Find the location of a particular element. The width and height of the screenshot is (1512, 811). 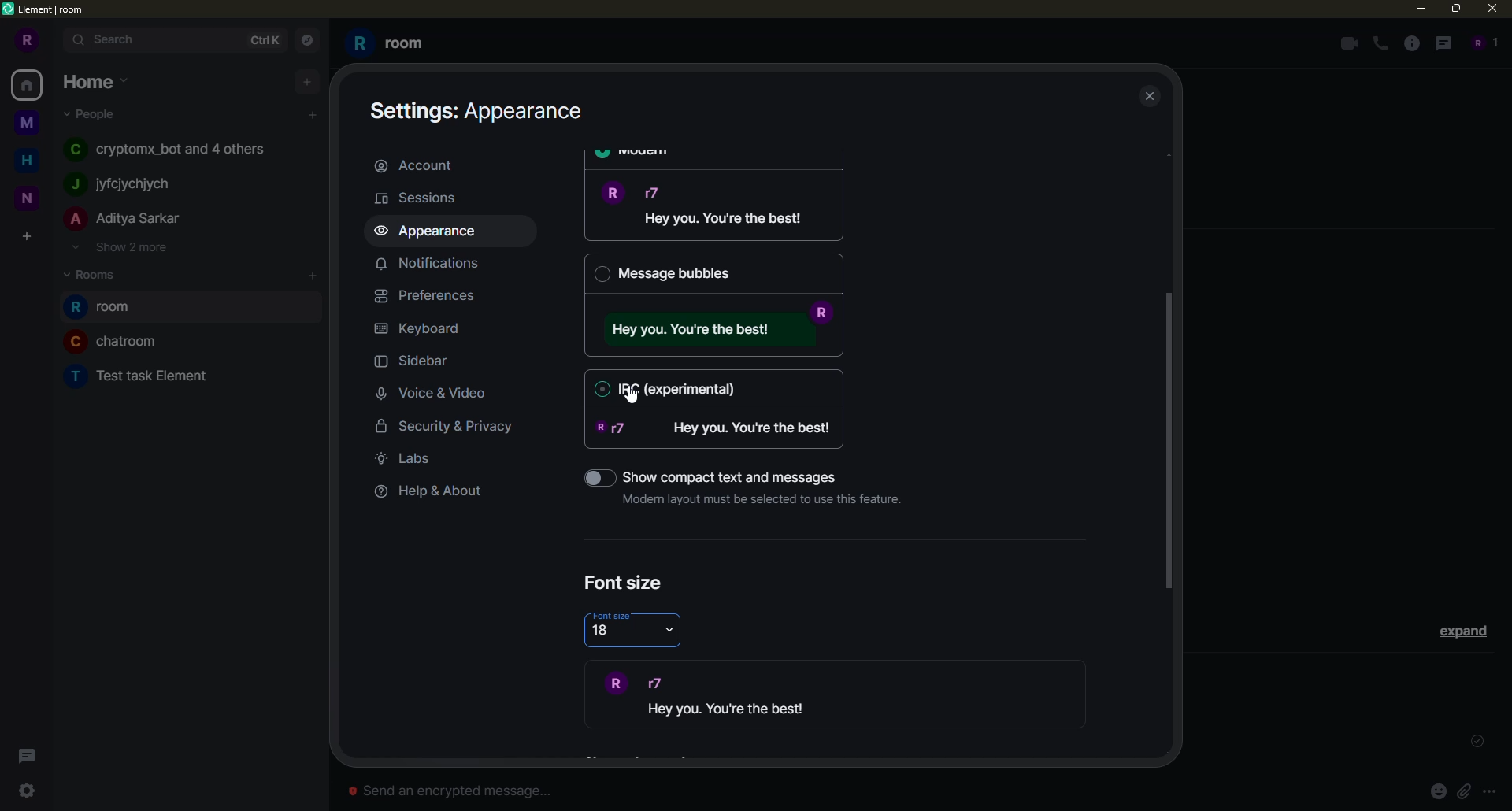

cursor is located at coordinates (633, 398).